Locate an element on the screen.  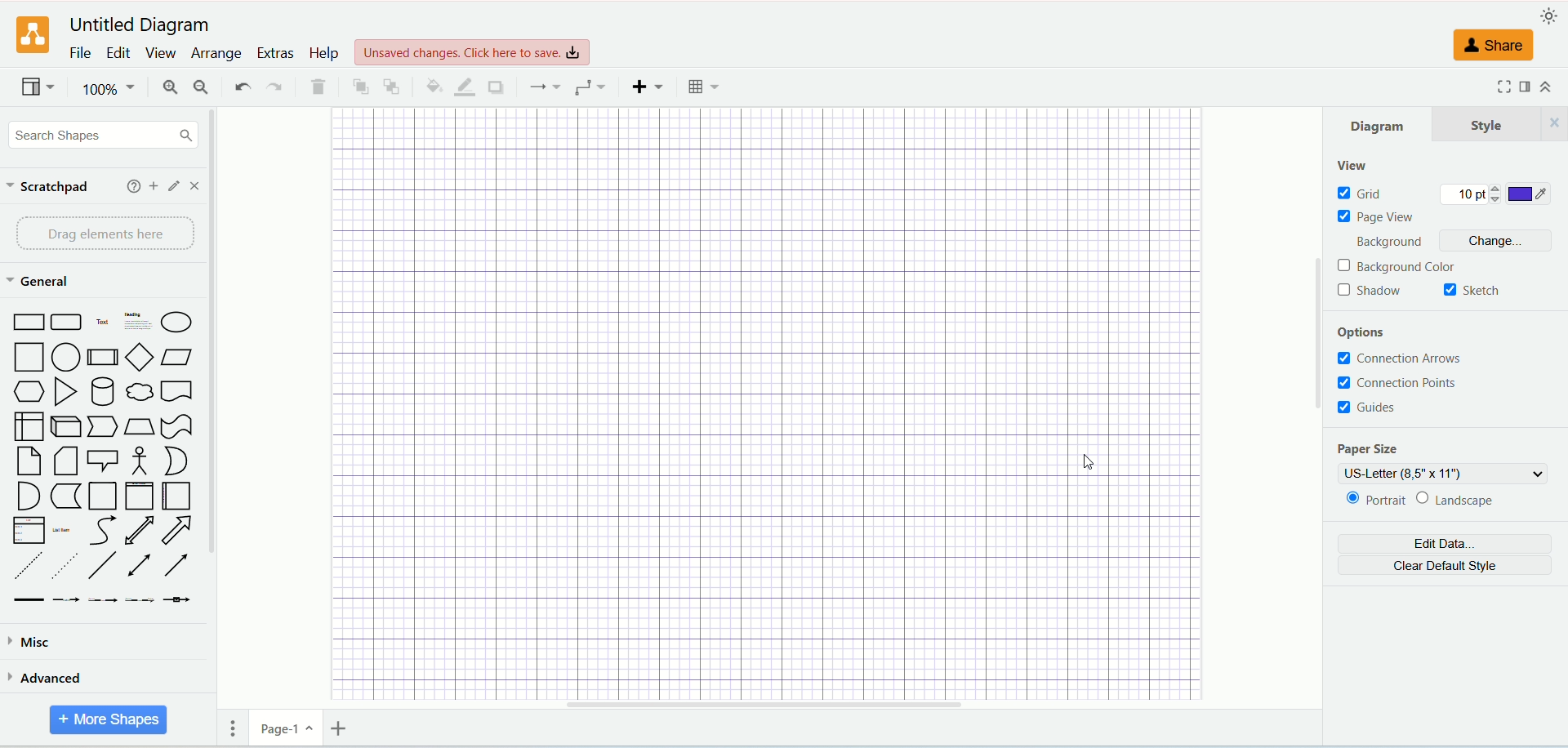
Cylinder is located at coordinates (105, 394).